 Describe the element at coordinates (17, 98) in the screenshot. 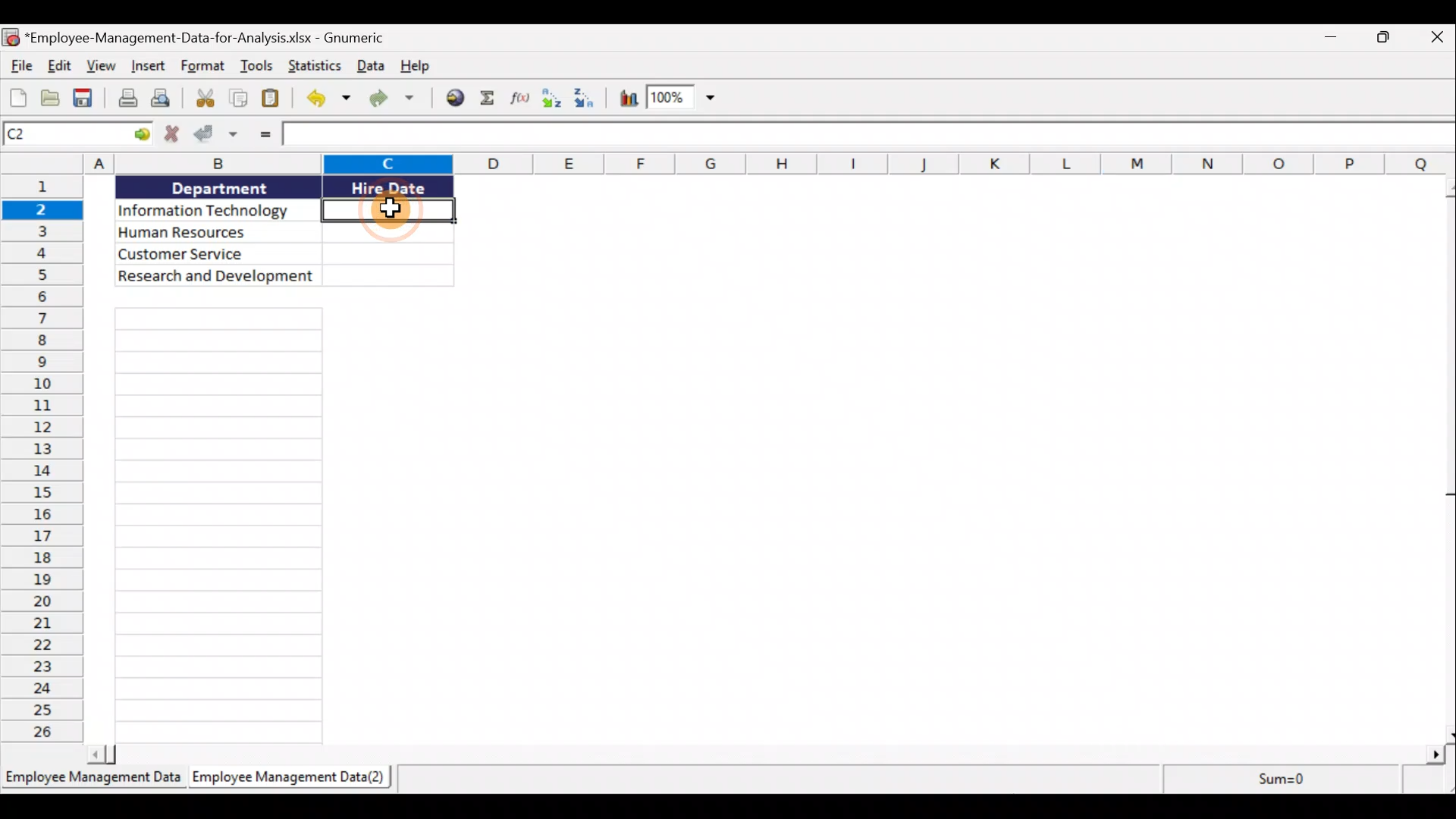

I see `Create a new workbook` at that location.